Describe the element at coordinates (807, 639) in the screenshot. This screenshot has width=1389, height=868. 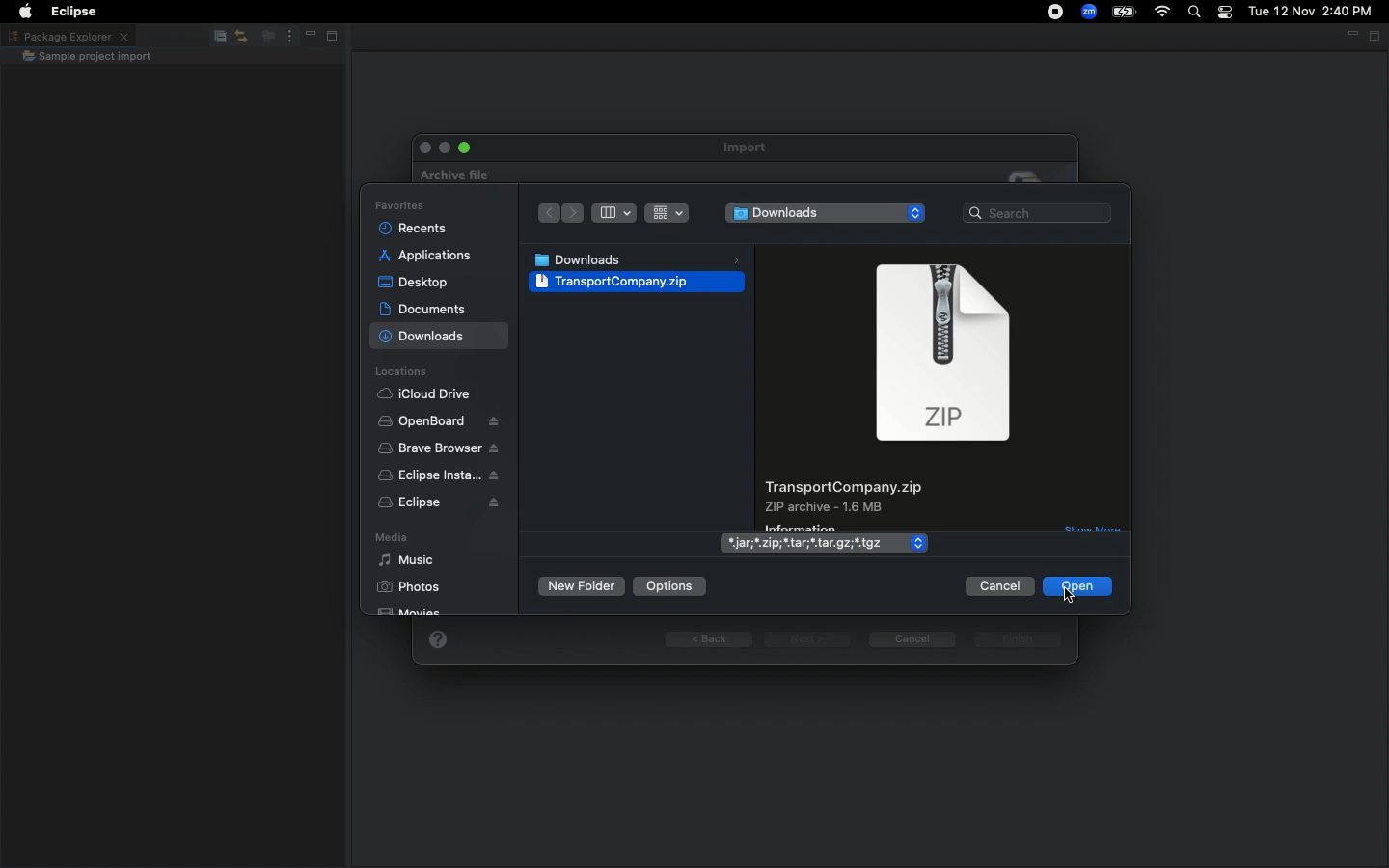
I see `Next` at that location.